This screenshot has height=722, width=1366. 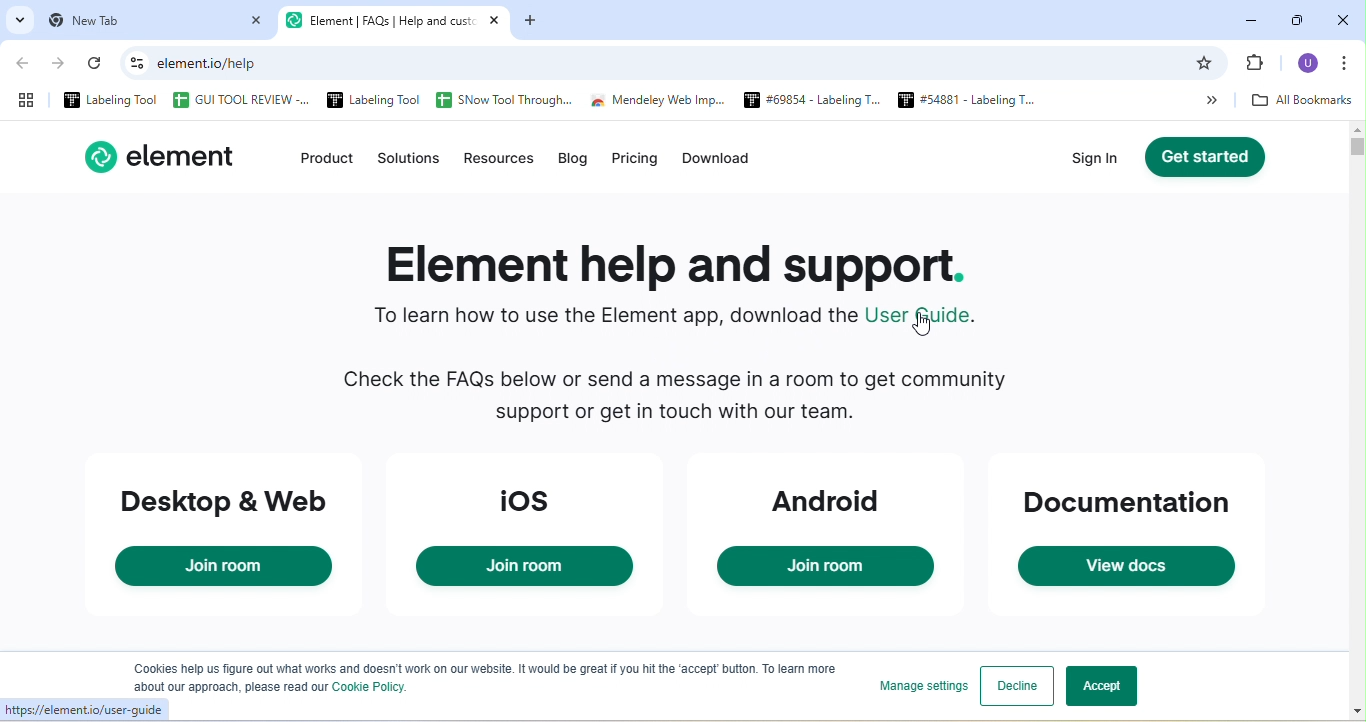 I want to click on product, so click(x=319, y=159).